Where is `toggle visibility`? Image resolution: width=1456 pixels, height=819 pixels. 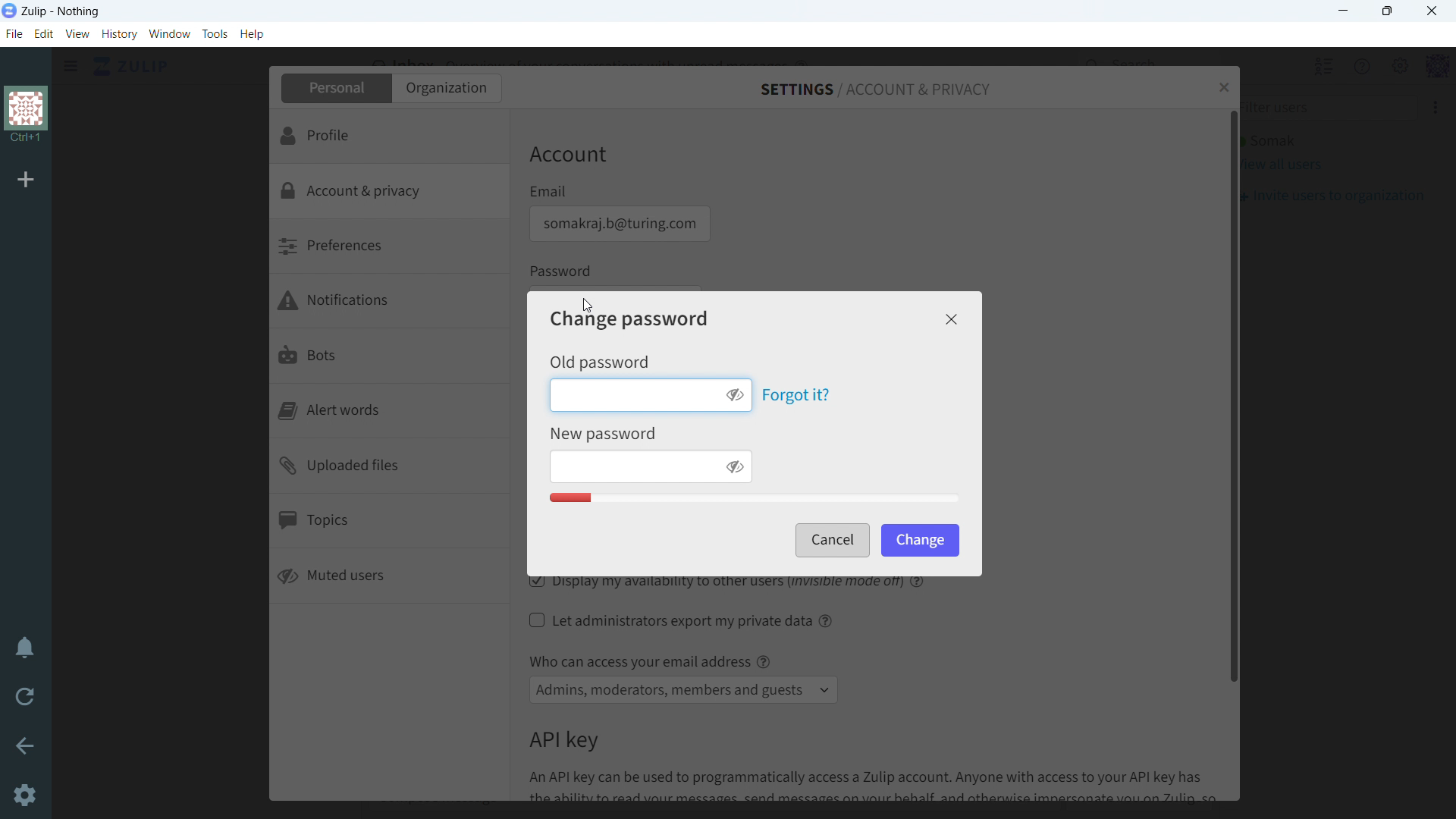 toggle visibility is located at coordinates (734, 466).